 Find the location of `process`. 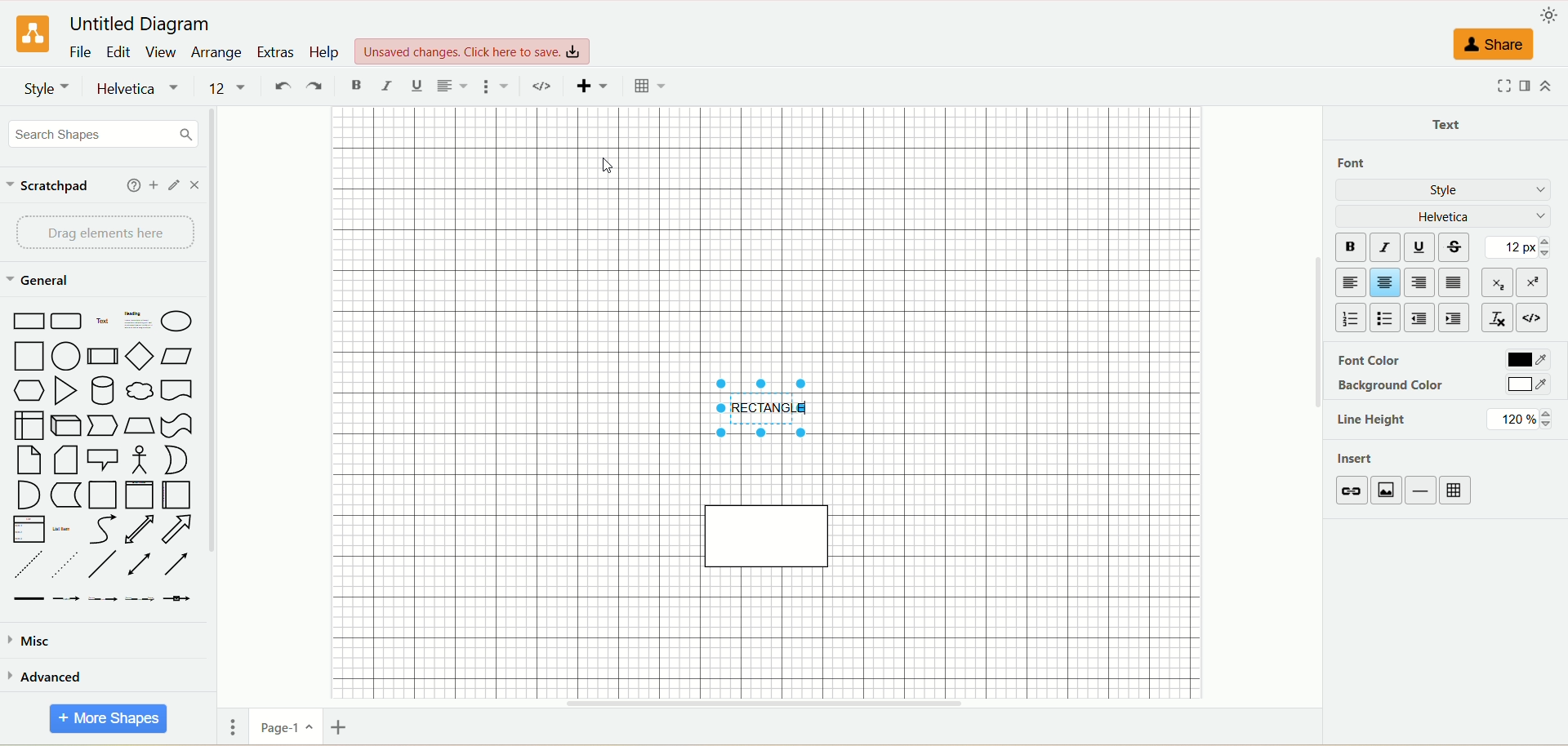

process is located at coordinates (102, 356).